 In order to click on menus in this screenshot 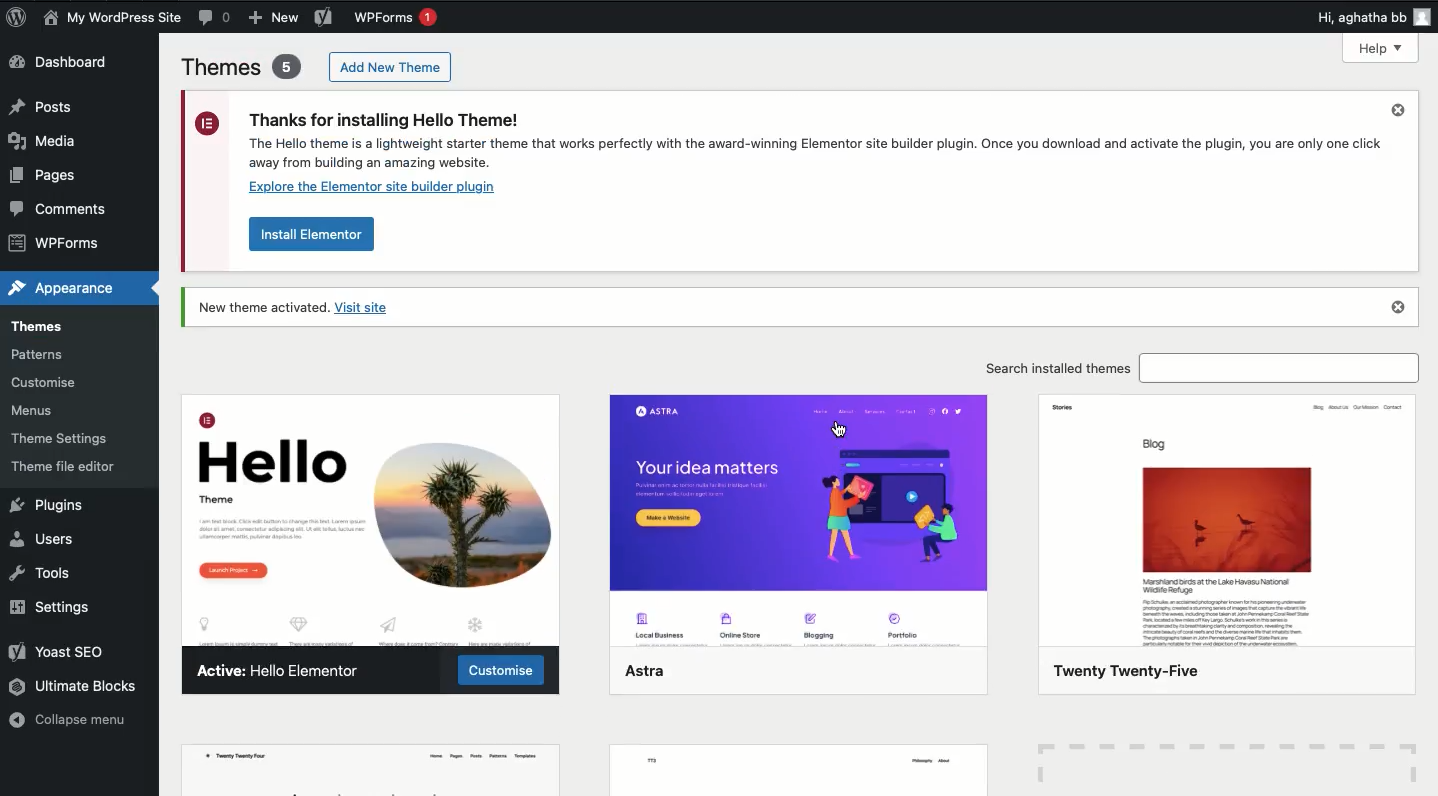, I will do `click(36, 412)`.